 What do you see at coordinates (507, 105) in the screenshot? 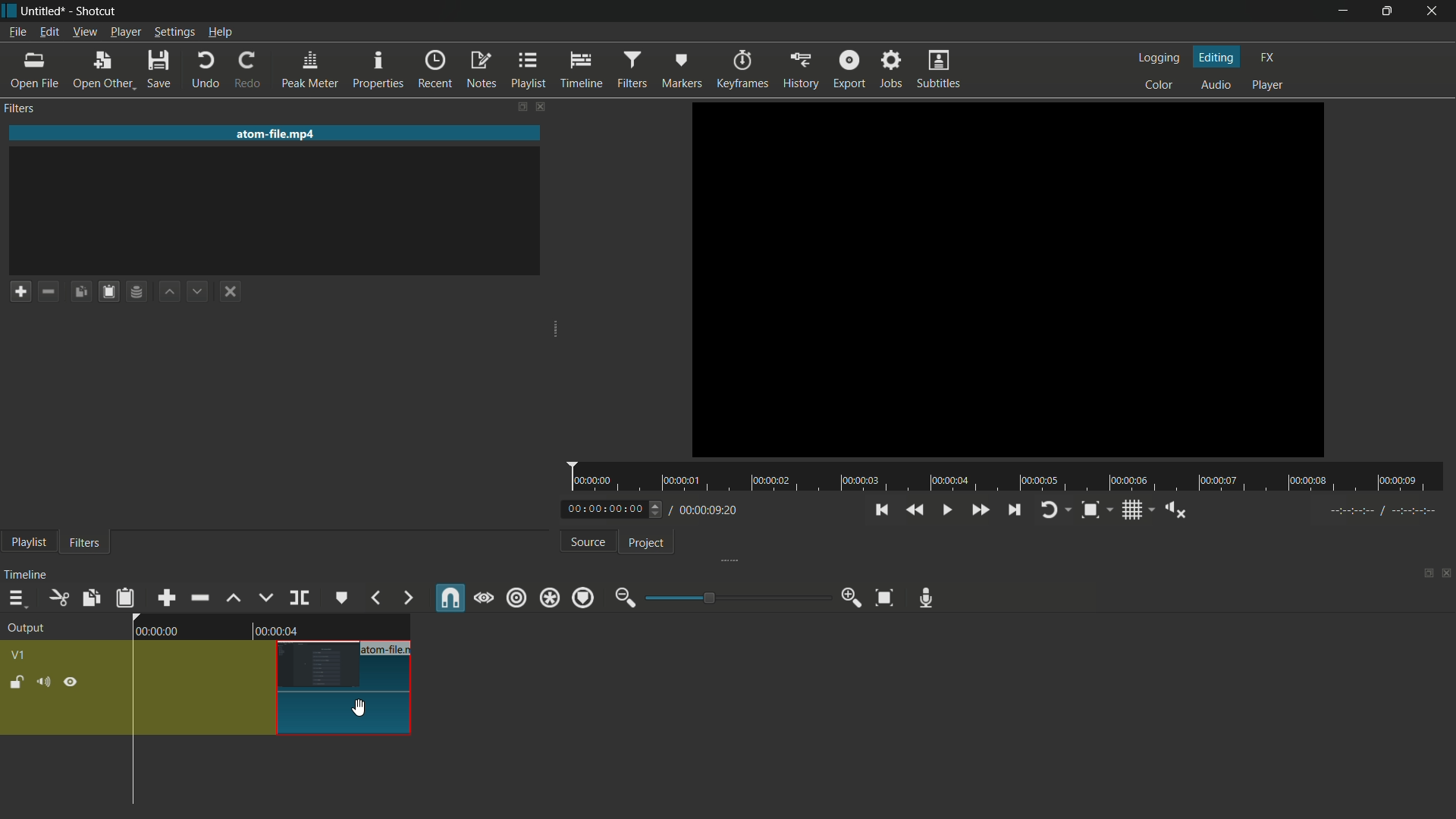
I see `change layout` at bounding box center [507, 105].